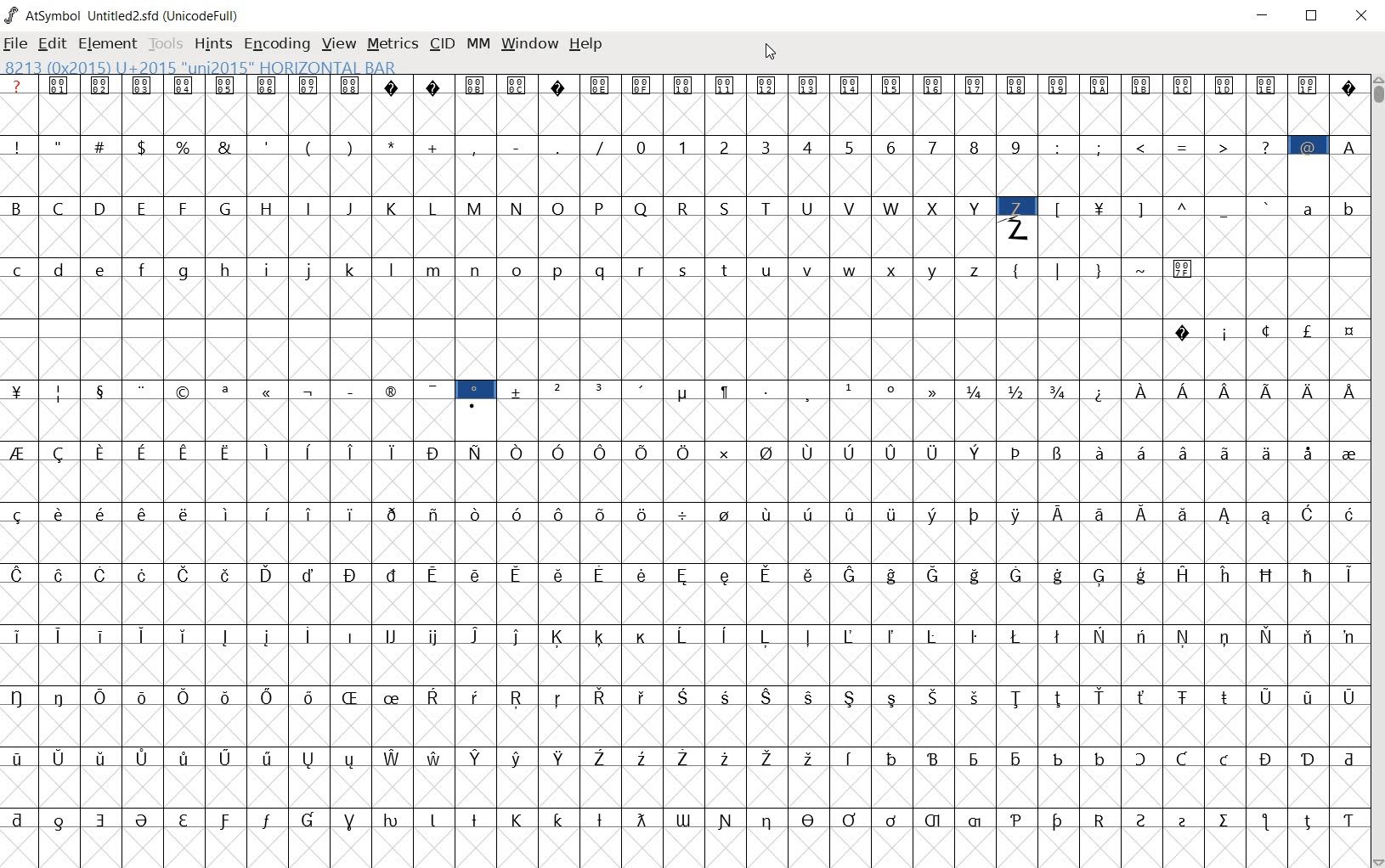  I want to click on AtSymbol  Untitled2.sfd (UnicodeFull), so click(123, 15).